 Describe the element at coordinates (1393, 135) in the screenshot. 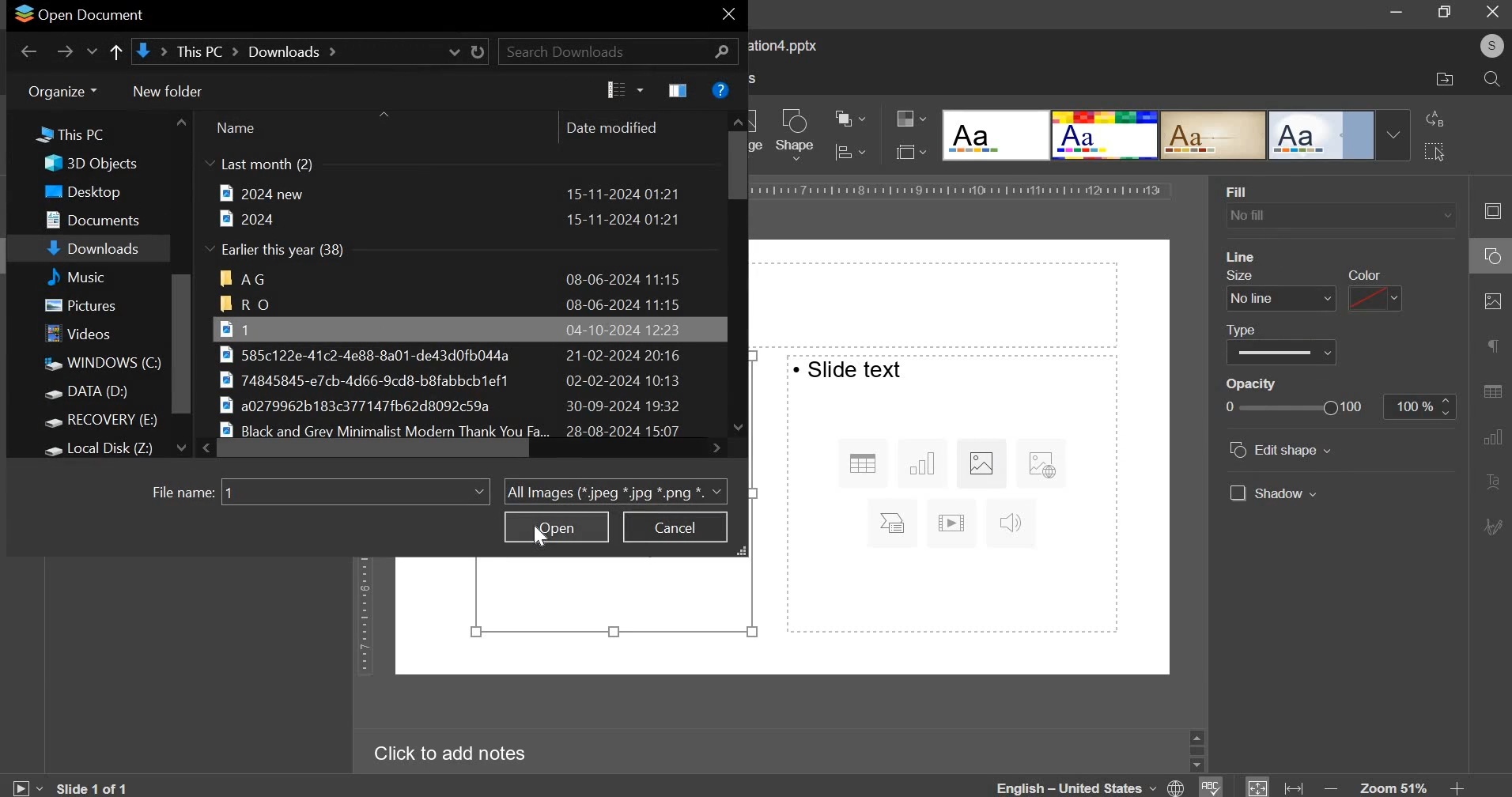

I see `Drop-down ` at that location.